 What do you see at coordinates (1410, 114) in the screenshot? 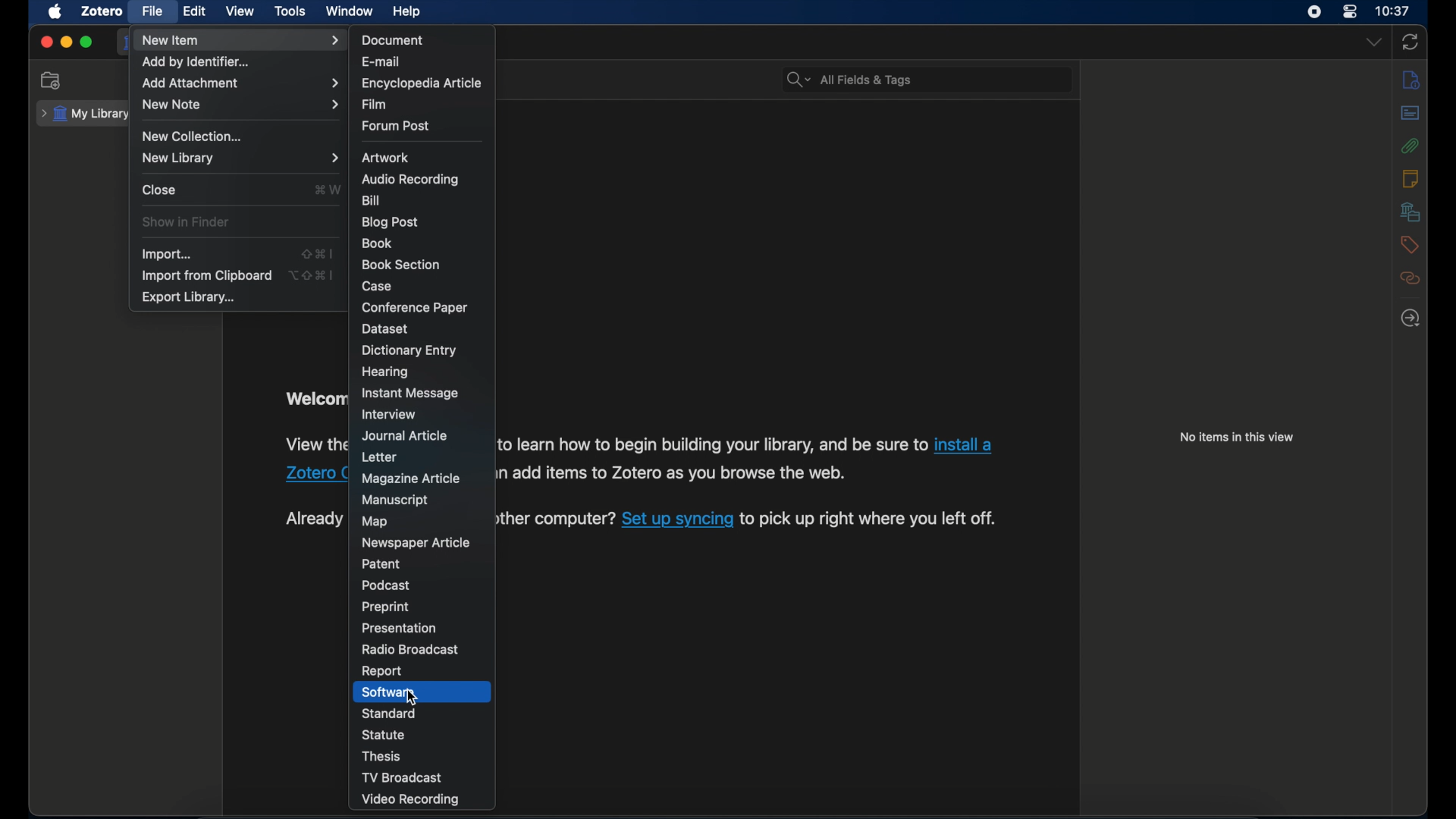
I see `abstract` at bounding box center [1410, 114].